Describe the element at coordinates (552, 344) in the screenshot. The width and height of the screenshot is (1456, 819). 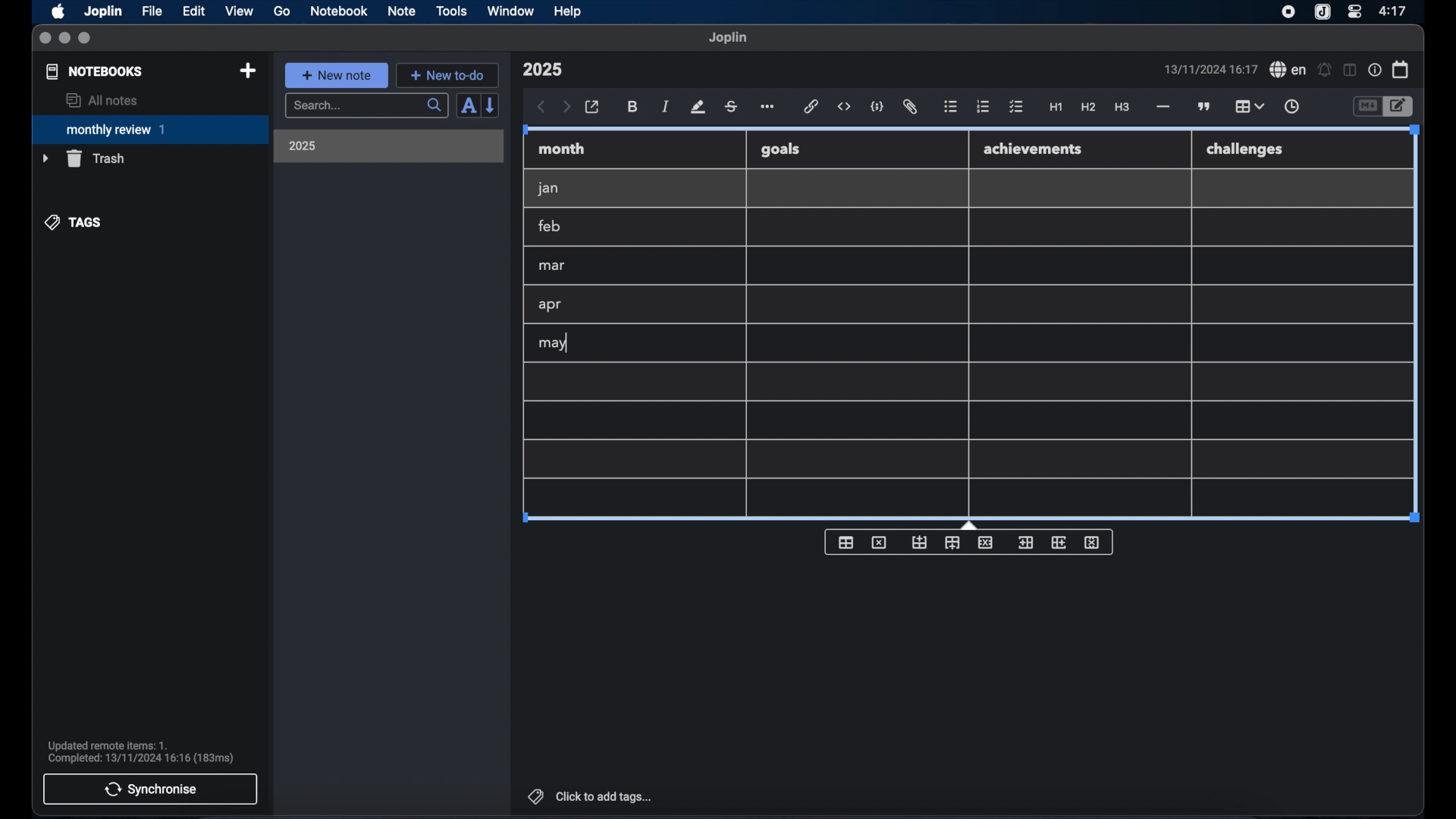
I see `may` at that location.